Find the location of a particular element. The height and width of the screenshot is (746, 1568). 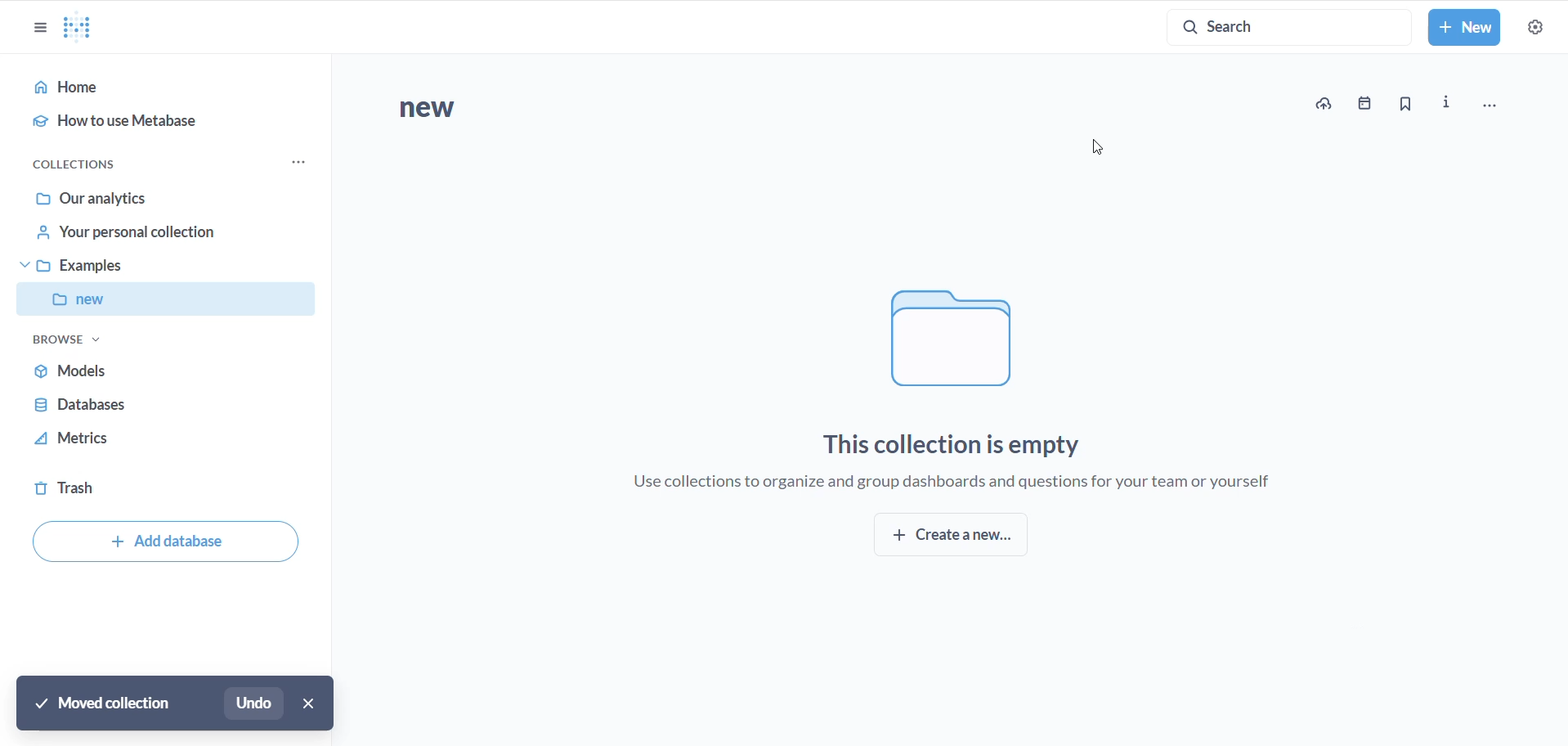

collection options is located at coordinates (298, 164).